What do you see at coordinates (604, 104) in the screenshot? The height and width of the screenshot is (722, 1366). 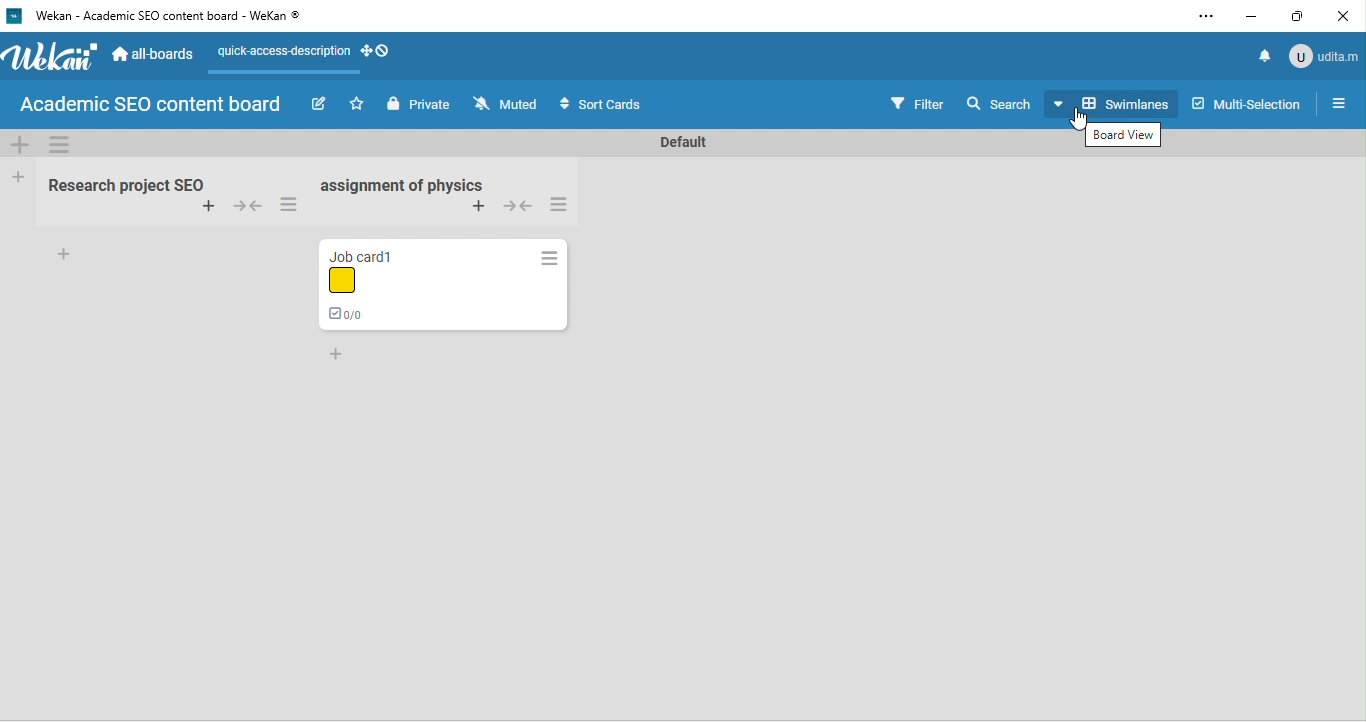 I see `sort cards` at bounding box center [604, 104].